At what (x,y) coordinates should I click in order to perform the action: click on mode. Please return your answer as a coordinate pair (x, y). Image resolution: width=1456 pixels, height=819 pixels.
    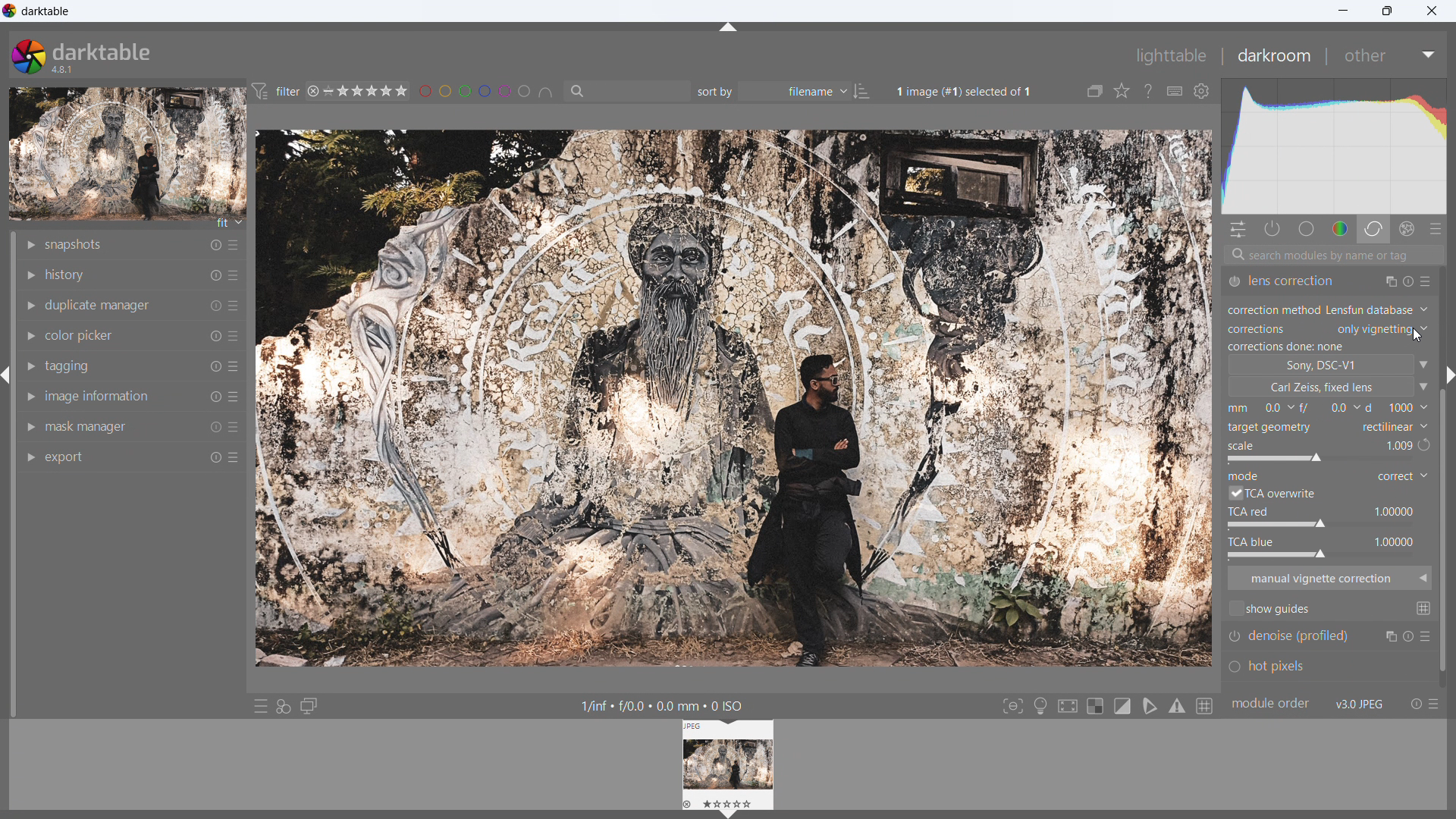
    Looking at the image, I should click on (1247, 475).